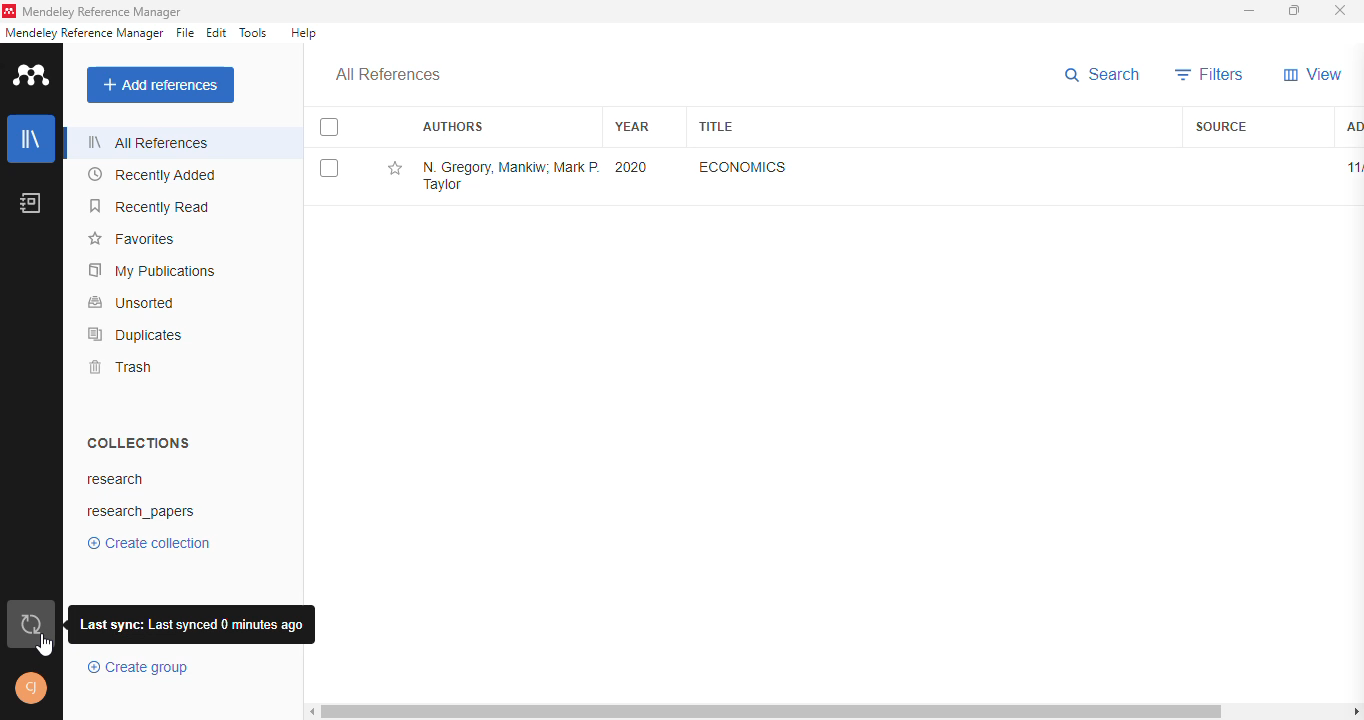 The image size is (1364, 720). What do you see at coordinates (1313, 74) in the screenshot?
I see `view` at bounding box center [1313, 74].